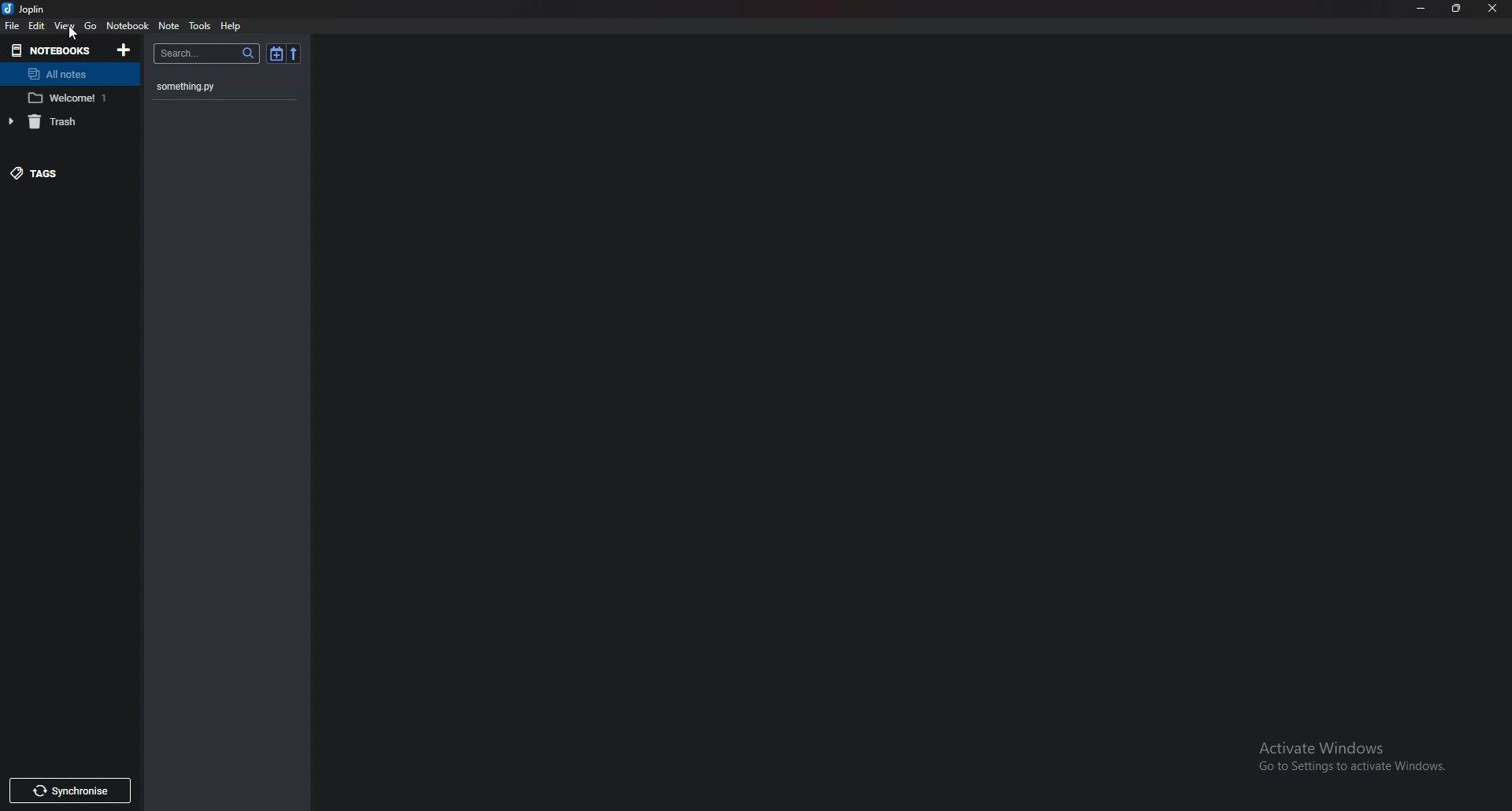  I want to click on go, so click(91, 25).